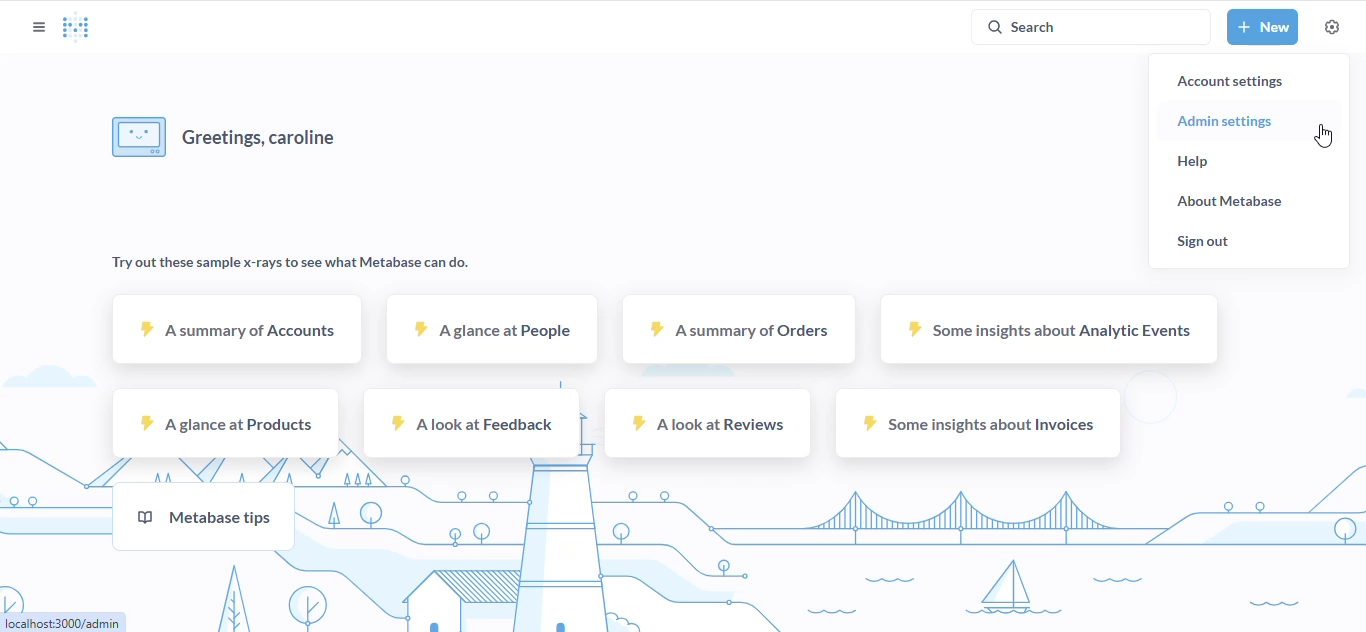  I want to click on sign out, so click(1202, 242).